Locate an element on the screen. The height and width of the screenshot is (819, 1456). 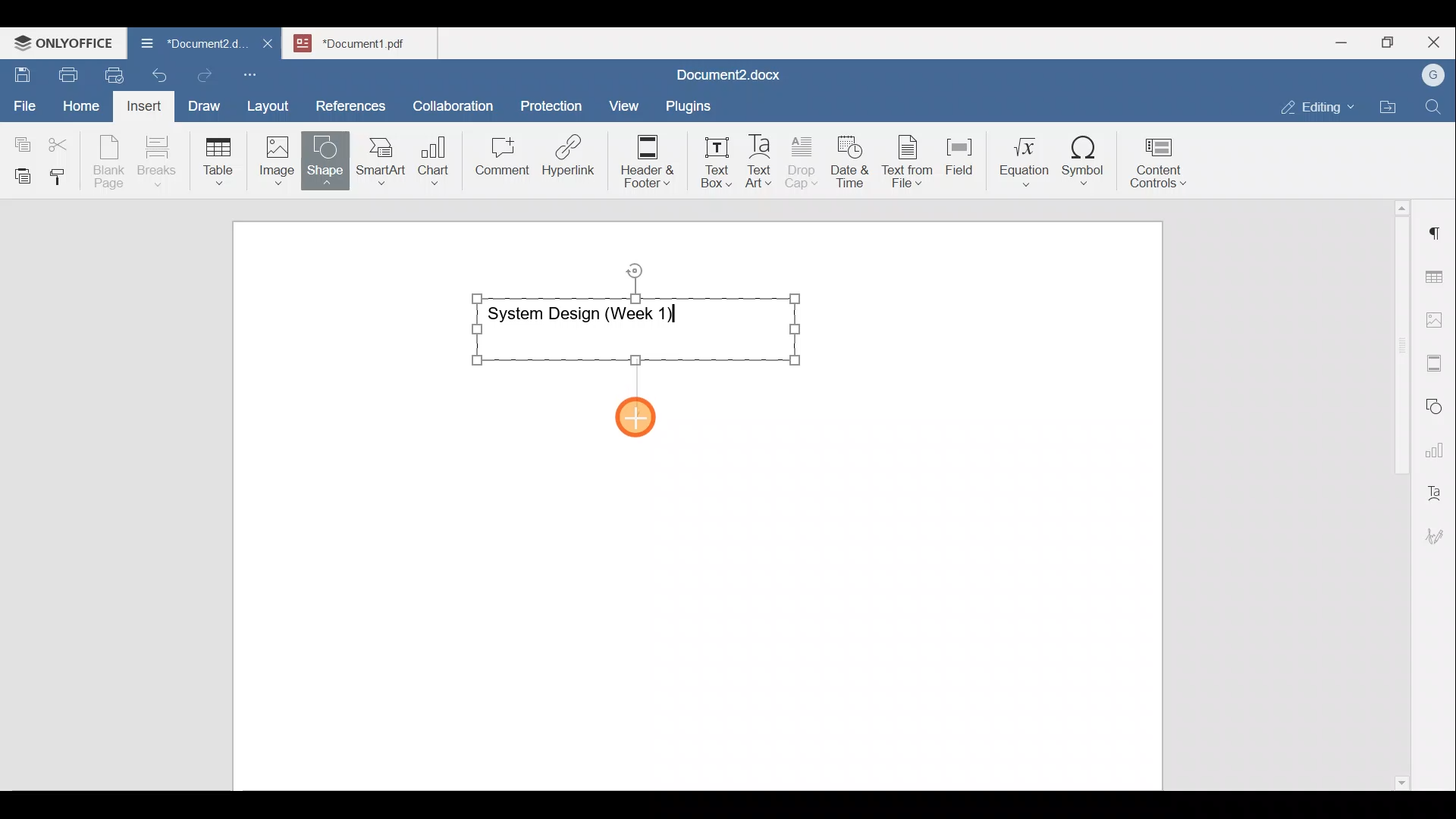
Home is located at coordinates (82, 105).